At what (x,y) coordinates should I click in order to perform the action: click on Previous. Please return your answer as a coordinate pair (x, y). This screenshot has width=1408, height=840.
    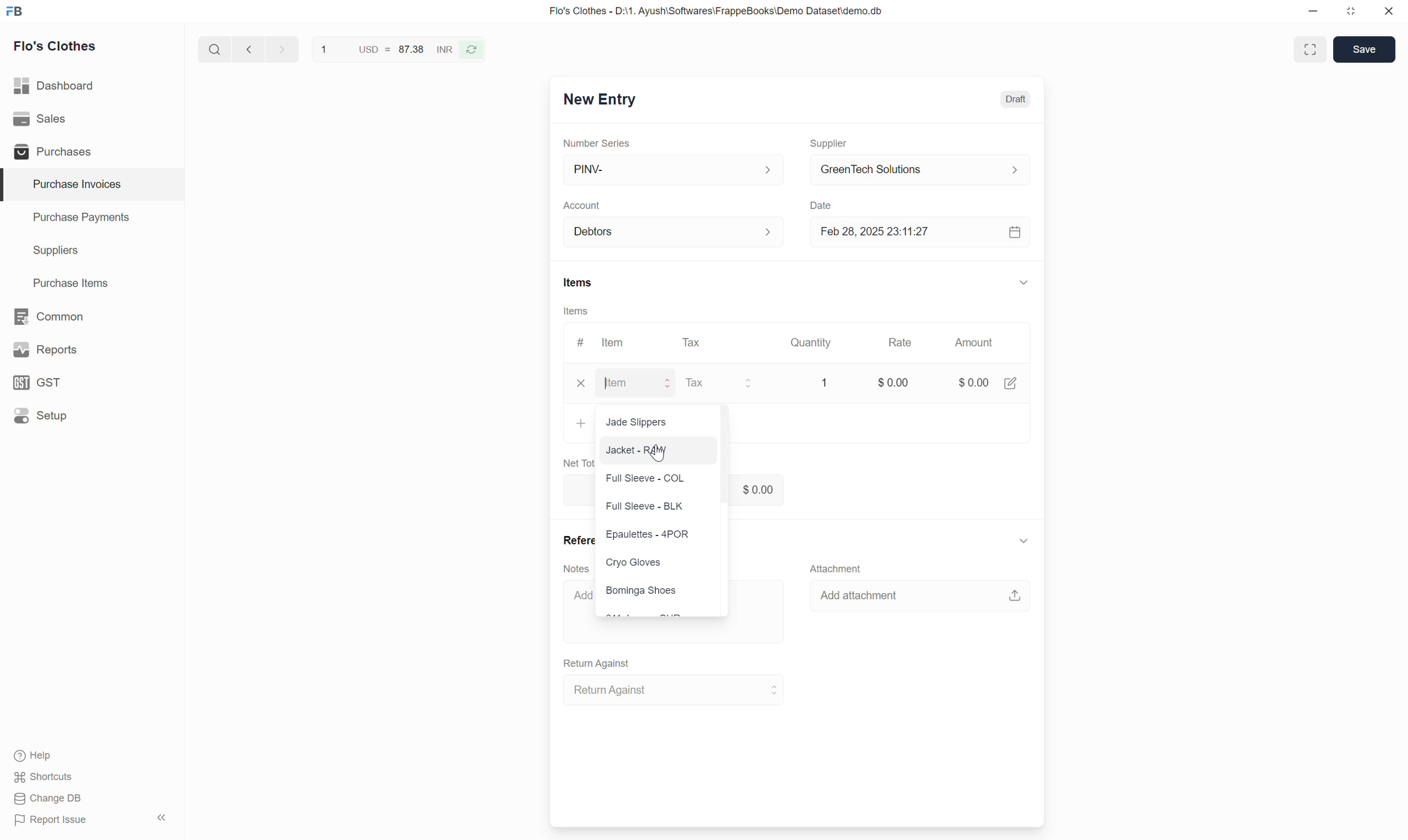
    Looking at the image, I should click on (249, 49).